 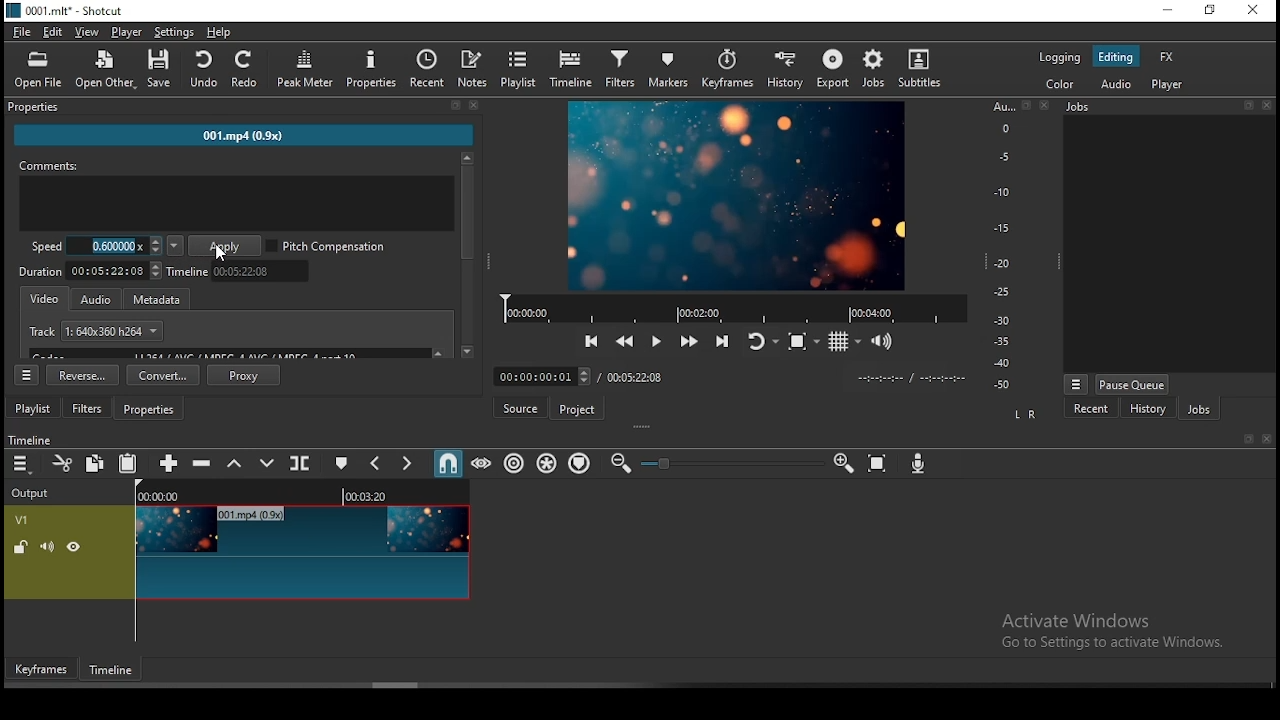 What do you see at coordinates (829, 69) in the screenshot?
I see `export` at bounding box center [829, 69].